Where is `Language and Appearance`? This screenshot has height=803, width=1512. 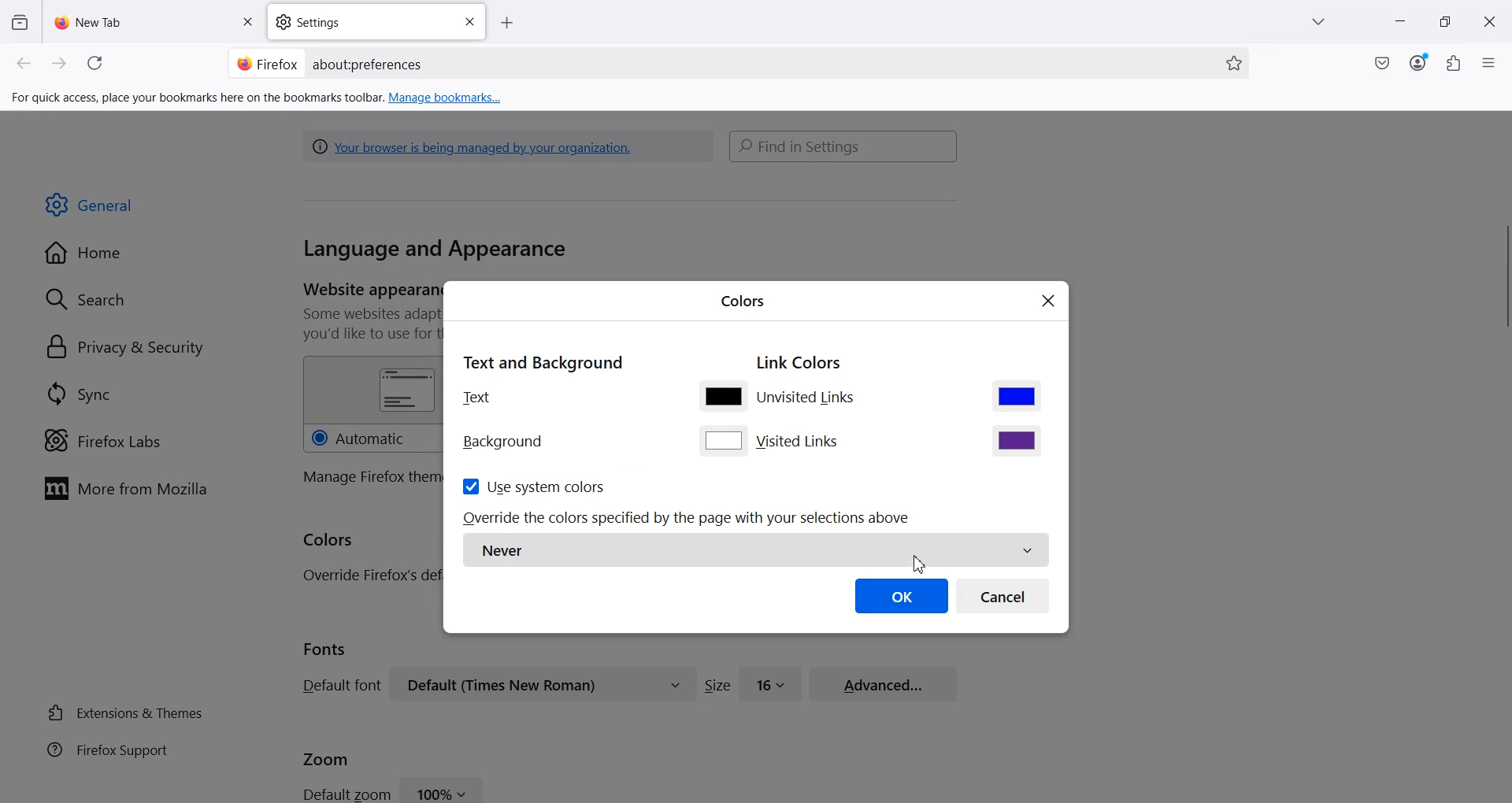 Language and Appearance is located at coordinates (435, 250).